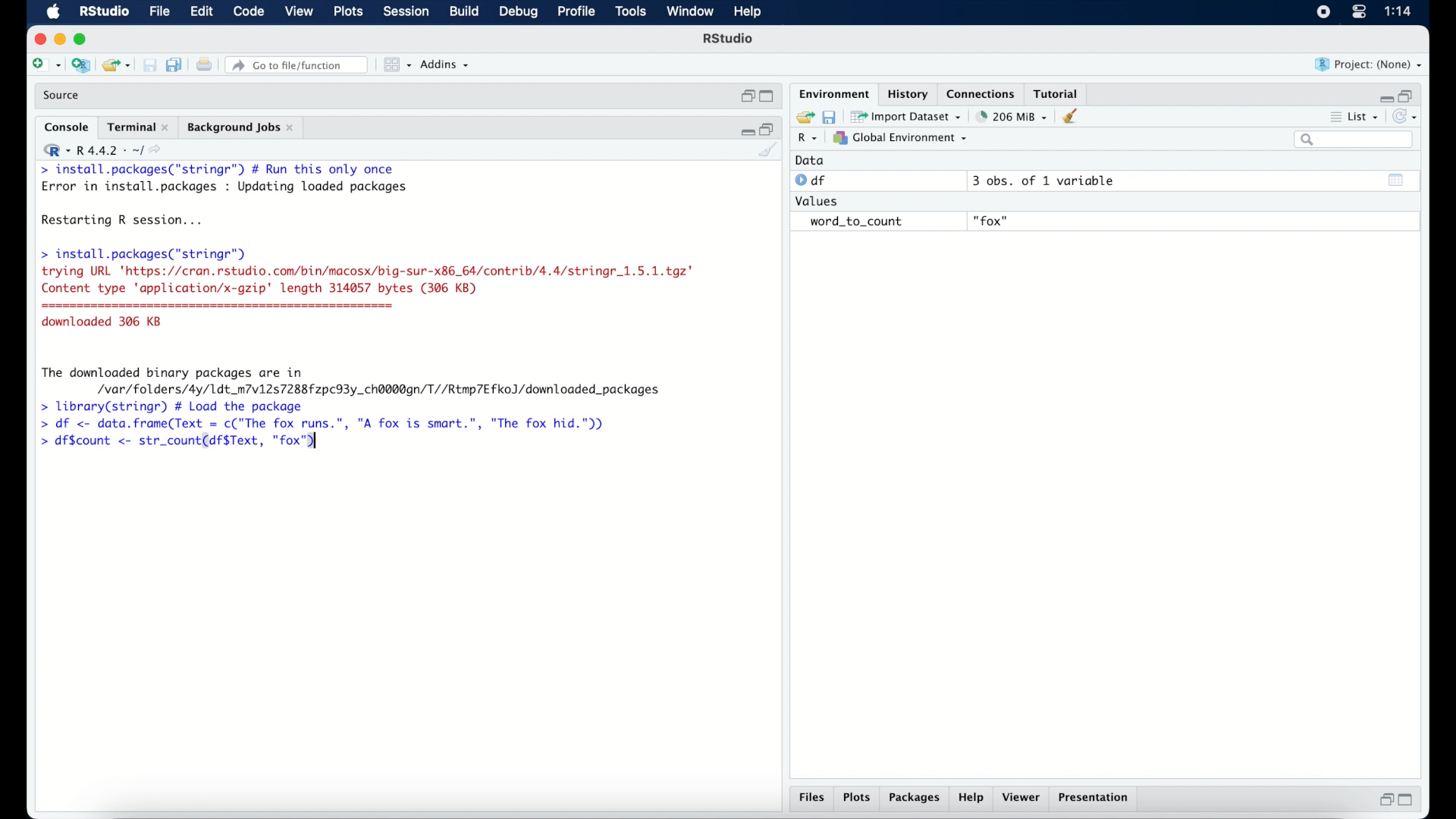 The image size is (1456, 819). What do you see at coordinates (818, 199) in the screenshot?
I see `values` at bounding box center [818, 199].